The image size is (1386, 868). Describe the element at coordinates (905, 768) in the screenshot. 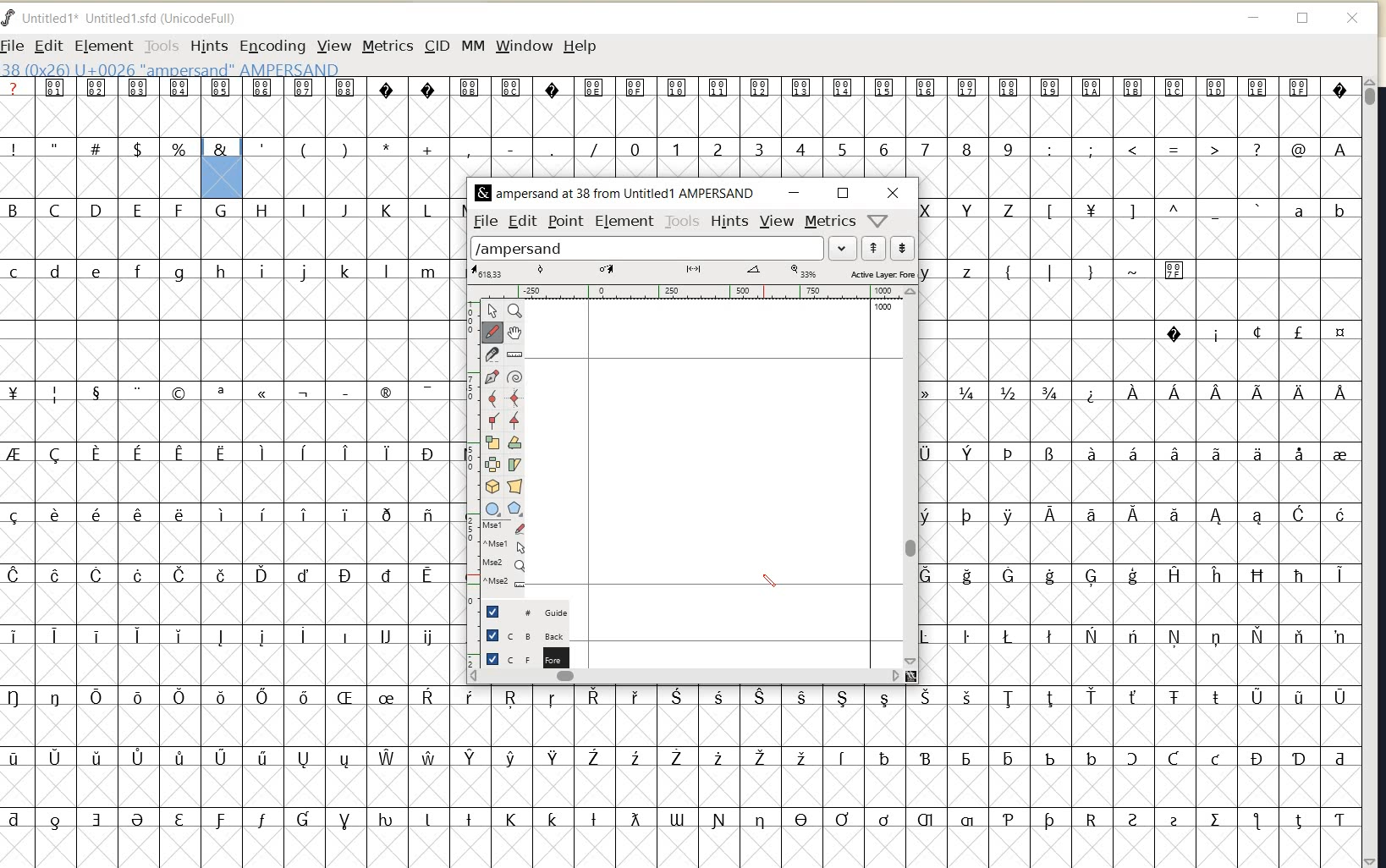

I see `glyph characters` at that location.